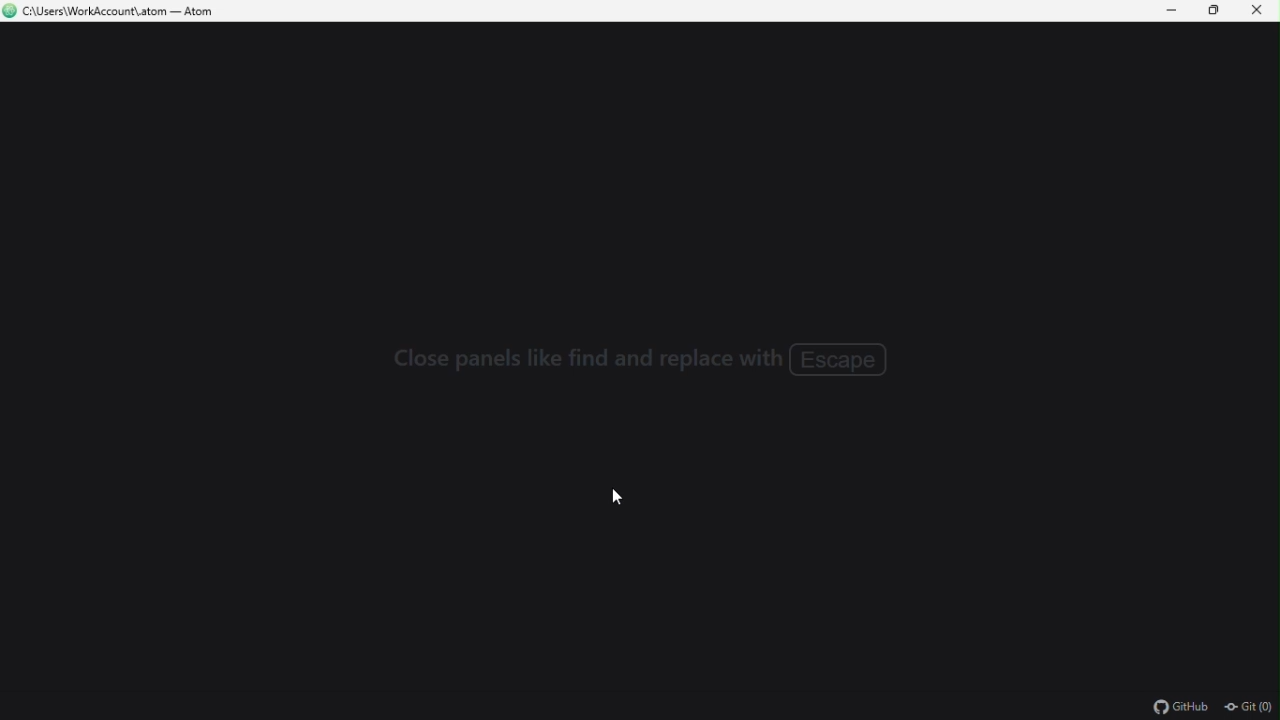 This screenshot has width=1280, height=720. What do you see at coordinates (648, 362) in the screenshot?
I see `Close panels like find and replace with [ Escape|` at bounding box center [648, 362].